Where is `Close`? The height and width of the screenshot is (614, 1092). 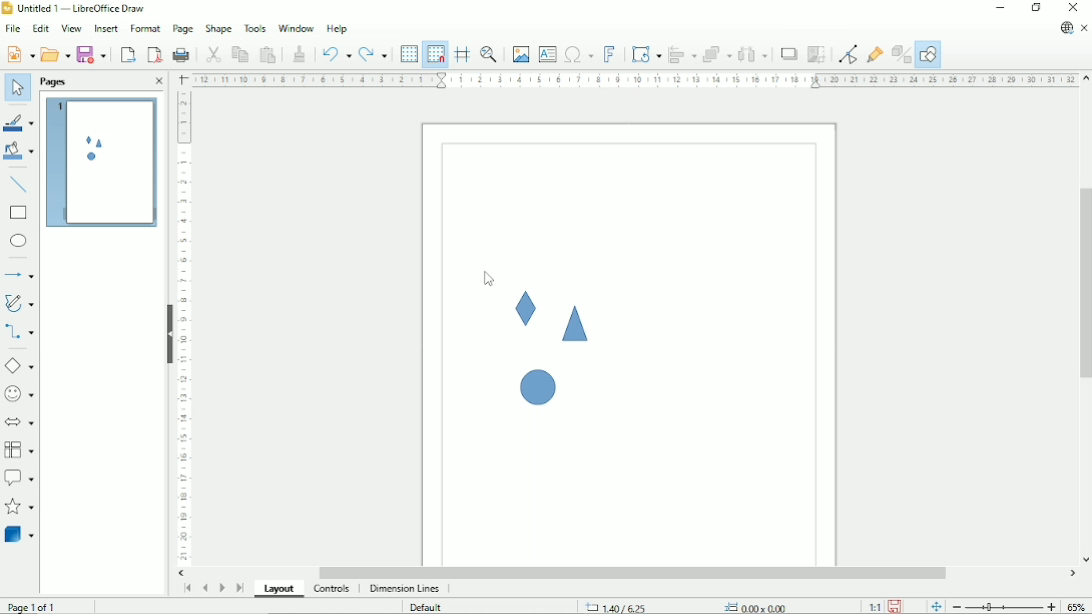 Close is located at coordinates (1074, 8).